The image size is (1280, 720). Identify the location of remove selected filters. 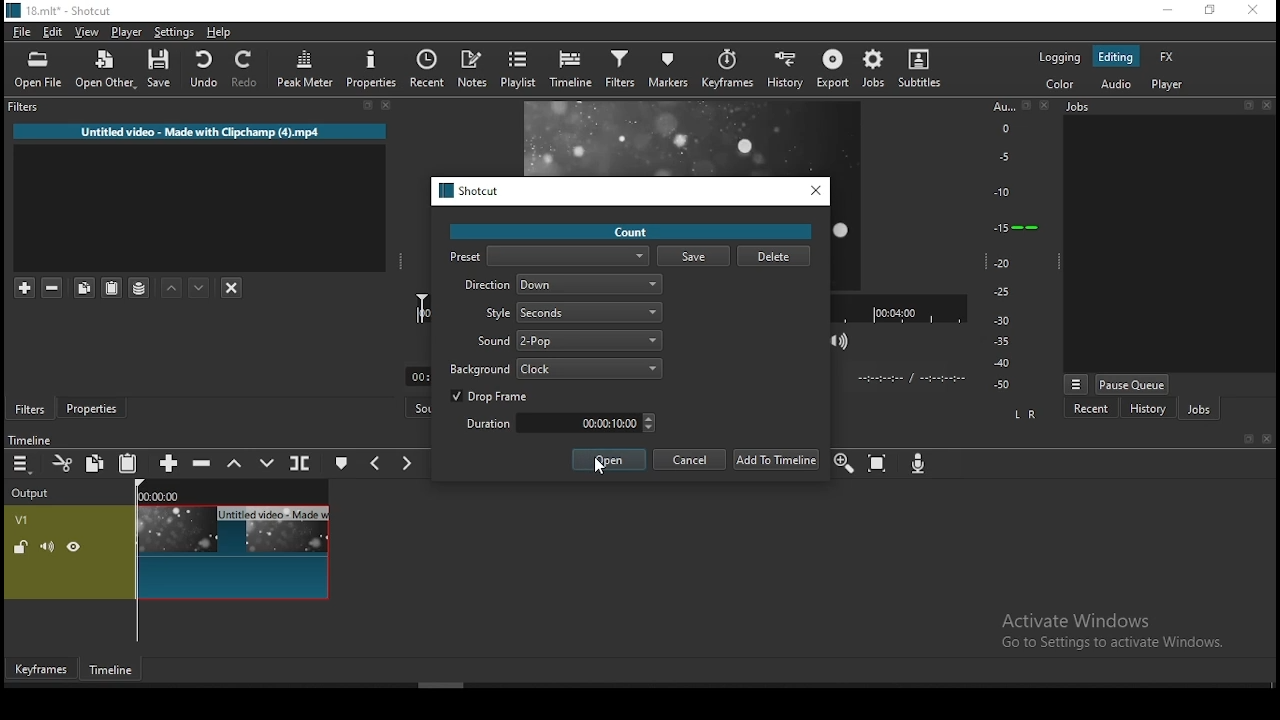
(54, 288).